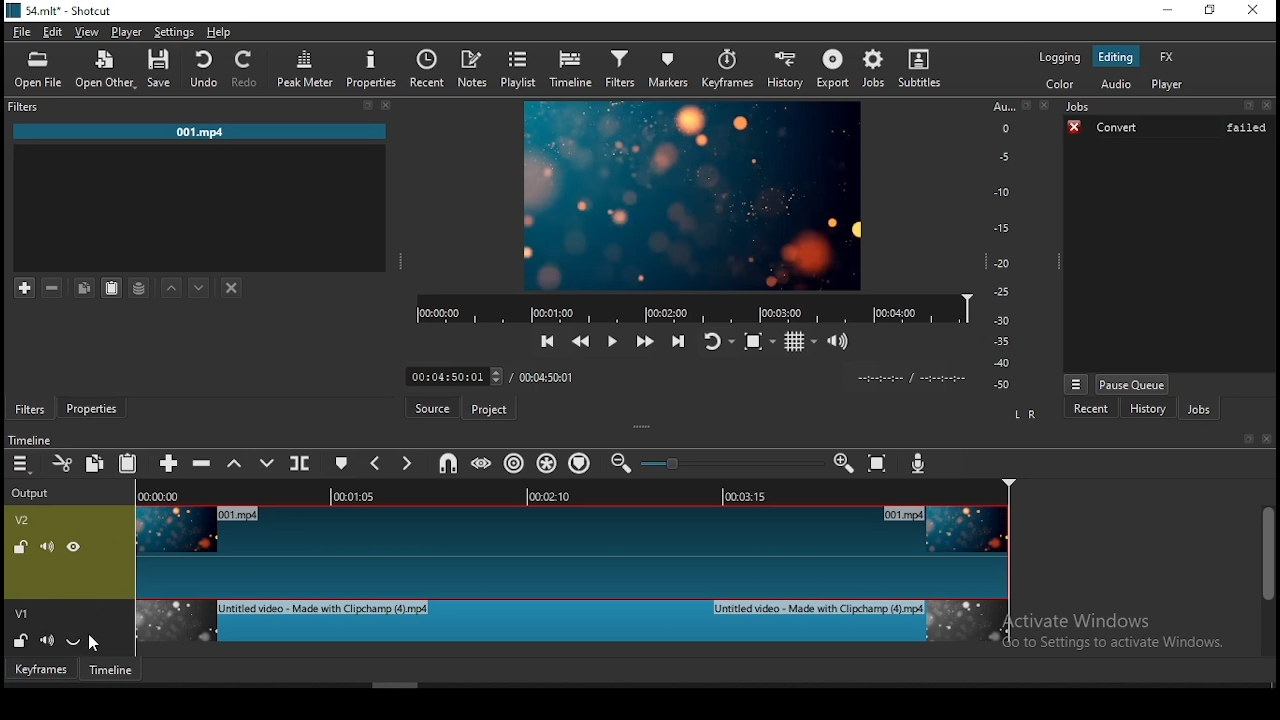 The width and height of the screenshot is (1280, 720). Describe the element at coordinates (156, 69) in the screenshot. I see `save` at that location.